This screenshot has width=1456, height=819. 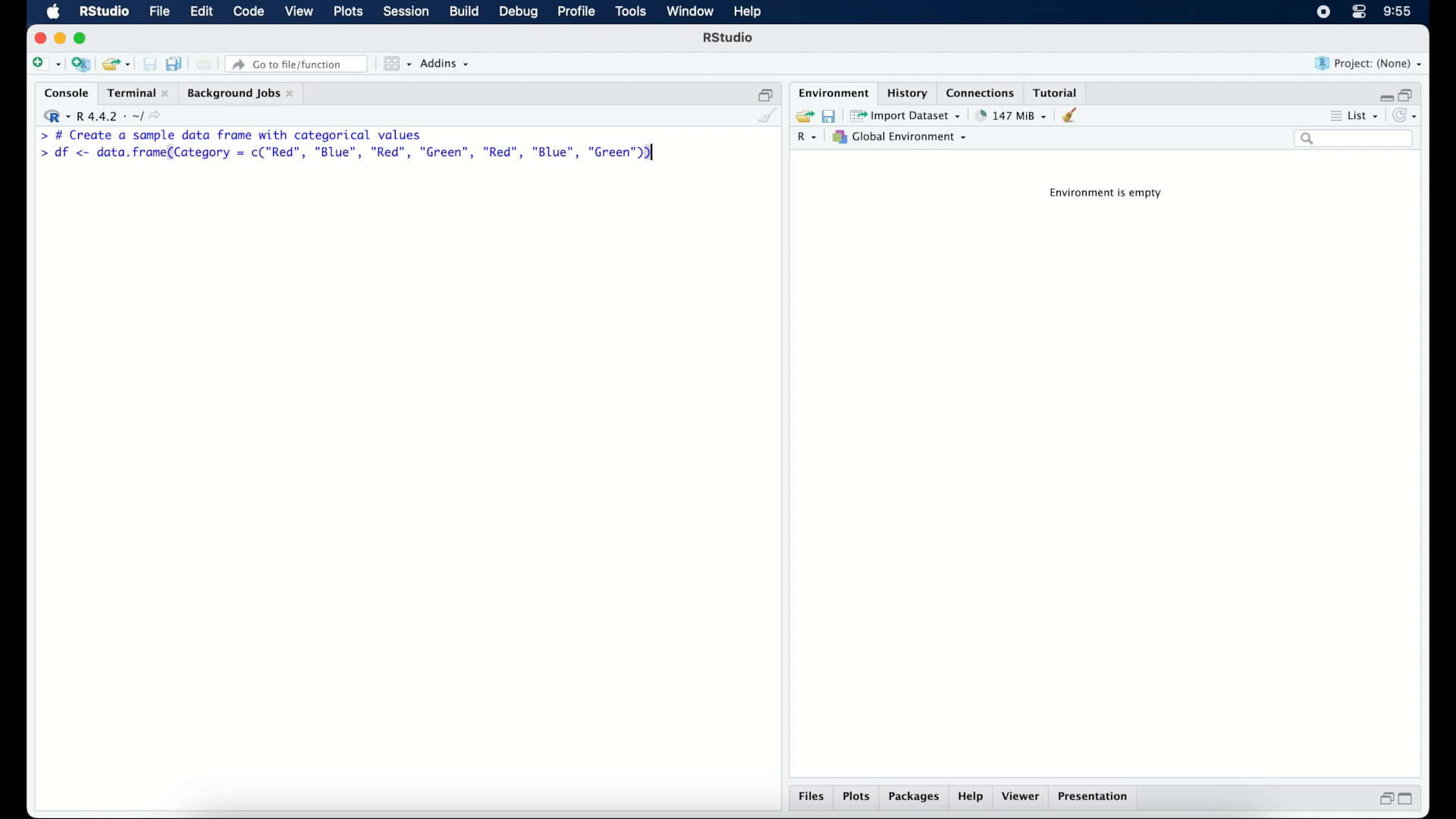 I want to click on packages, so click(x=915, y=799).